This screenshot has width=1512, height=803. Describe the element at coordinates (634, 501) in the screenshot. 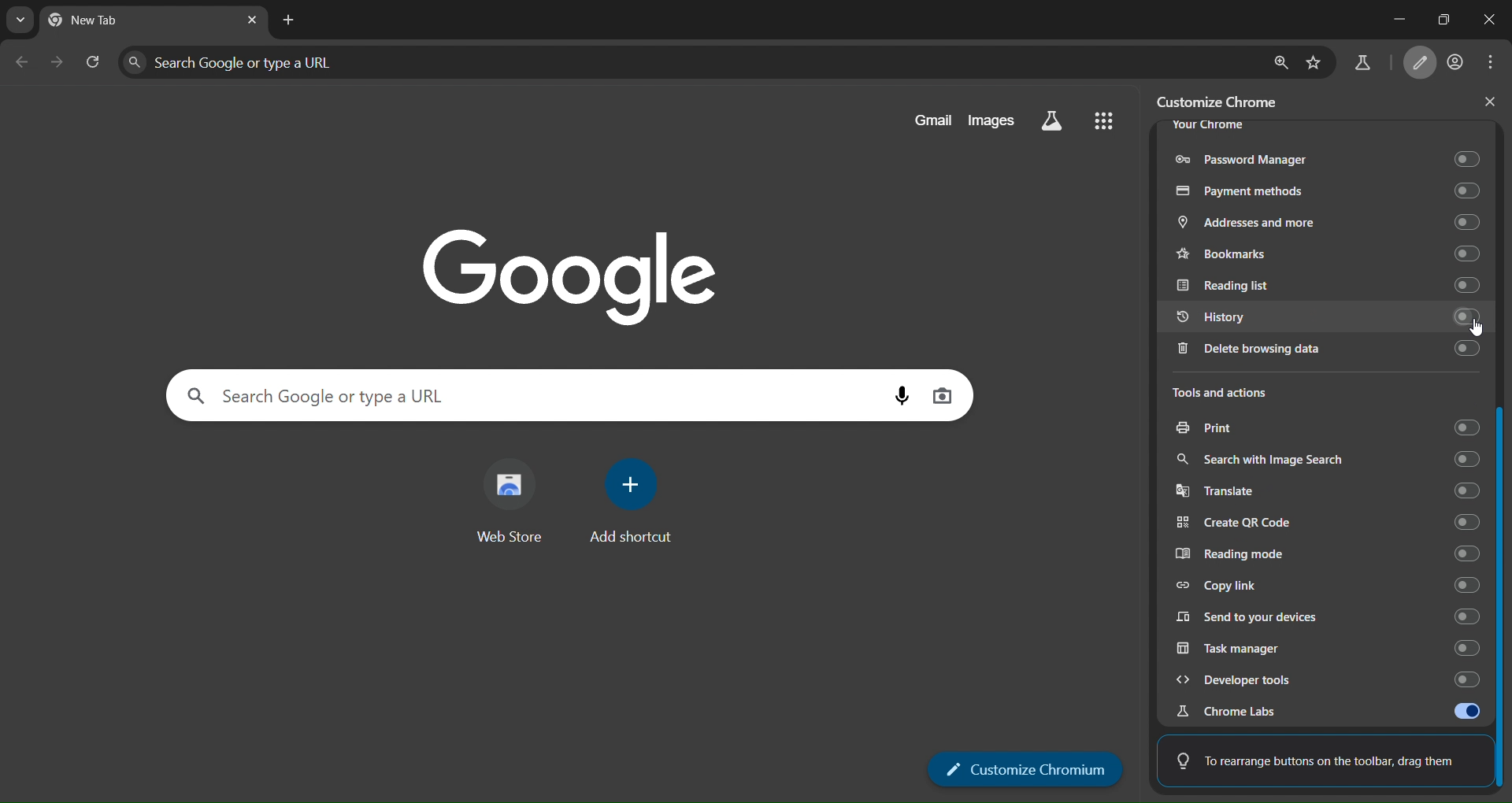

I see `add shortcut` at that location.